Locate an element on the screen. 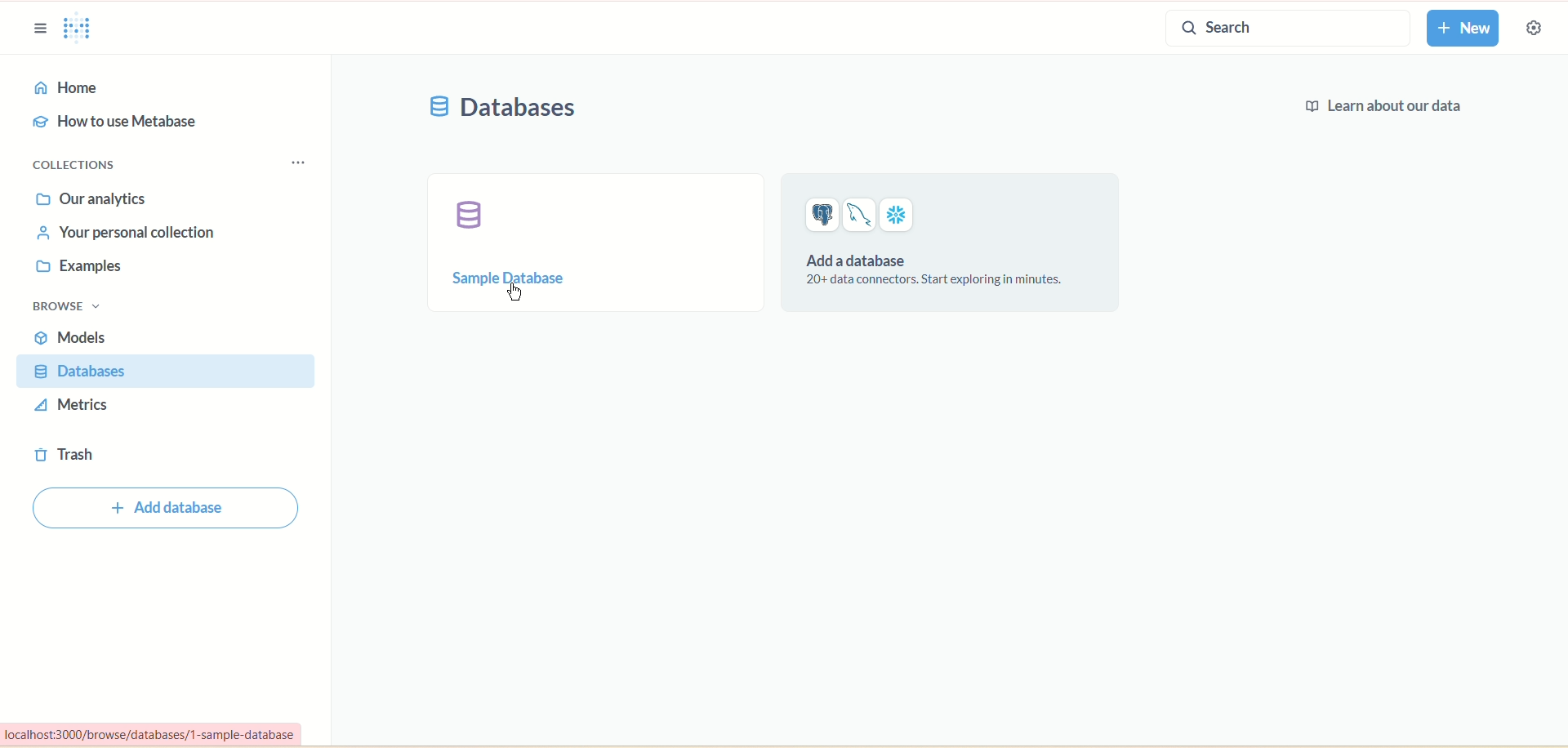 Image resolution: width=1568 pixels, height=748 pixels. home is located at coordinates (164, 89).